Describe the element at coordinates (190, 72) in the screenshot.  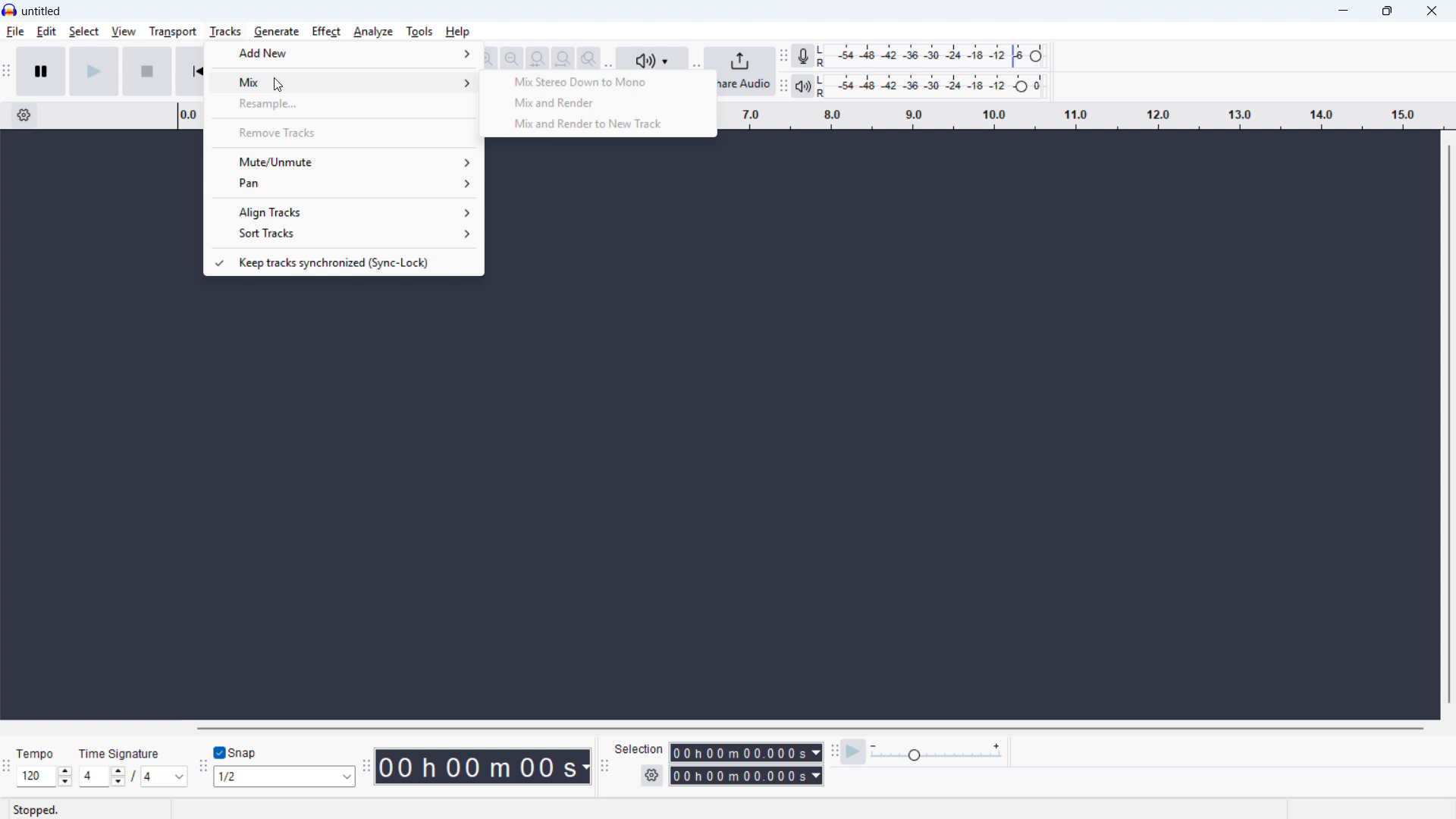
I see `Skip to beginning ` at that location.